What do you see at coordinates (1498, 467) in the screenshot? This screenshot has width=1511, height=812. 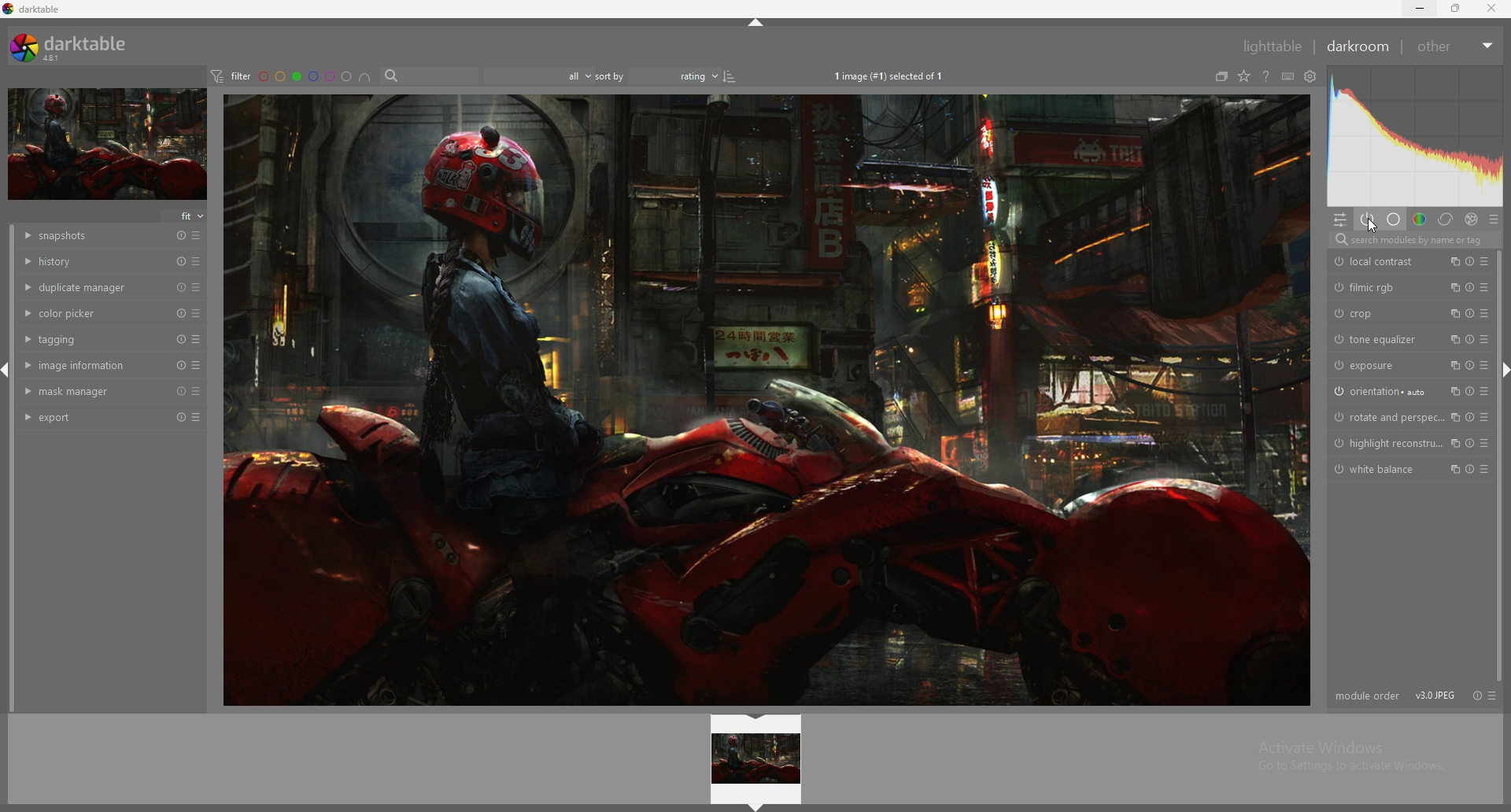 I see `scroll bar` at bounding box center [1498, 467].